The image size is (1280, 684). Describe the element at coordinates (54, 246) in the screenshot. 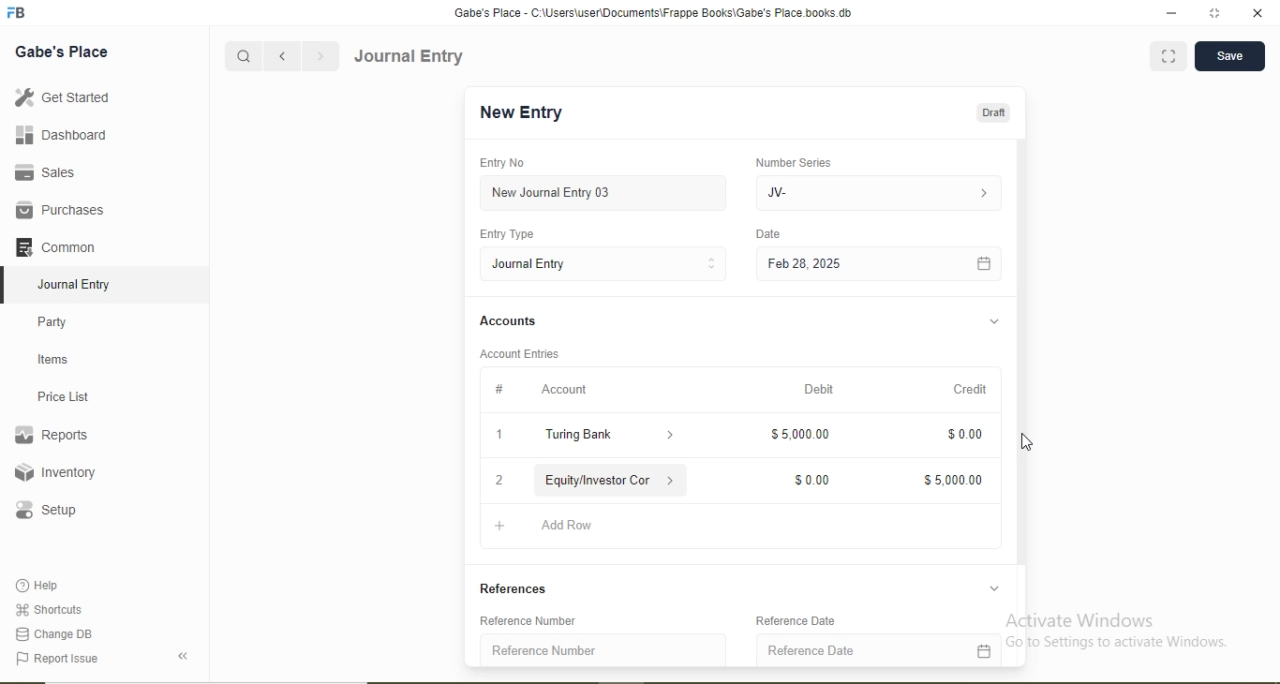

I see `Common` at that location.